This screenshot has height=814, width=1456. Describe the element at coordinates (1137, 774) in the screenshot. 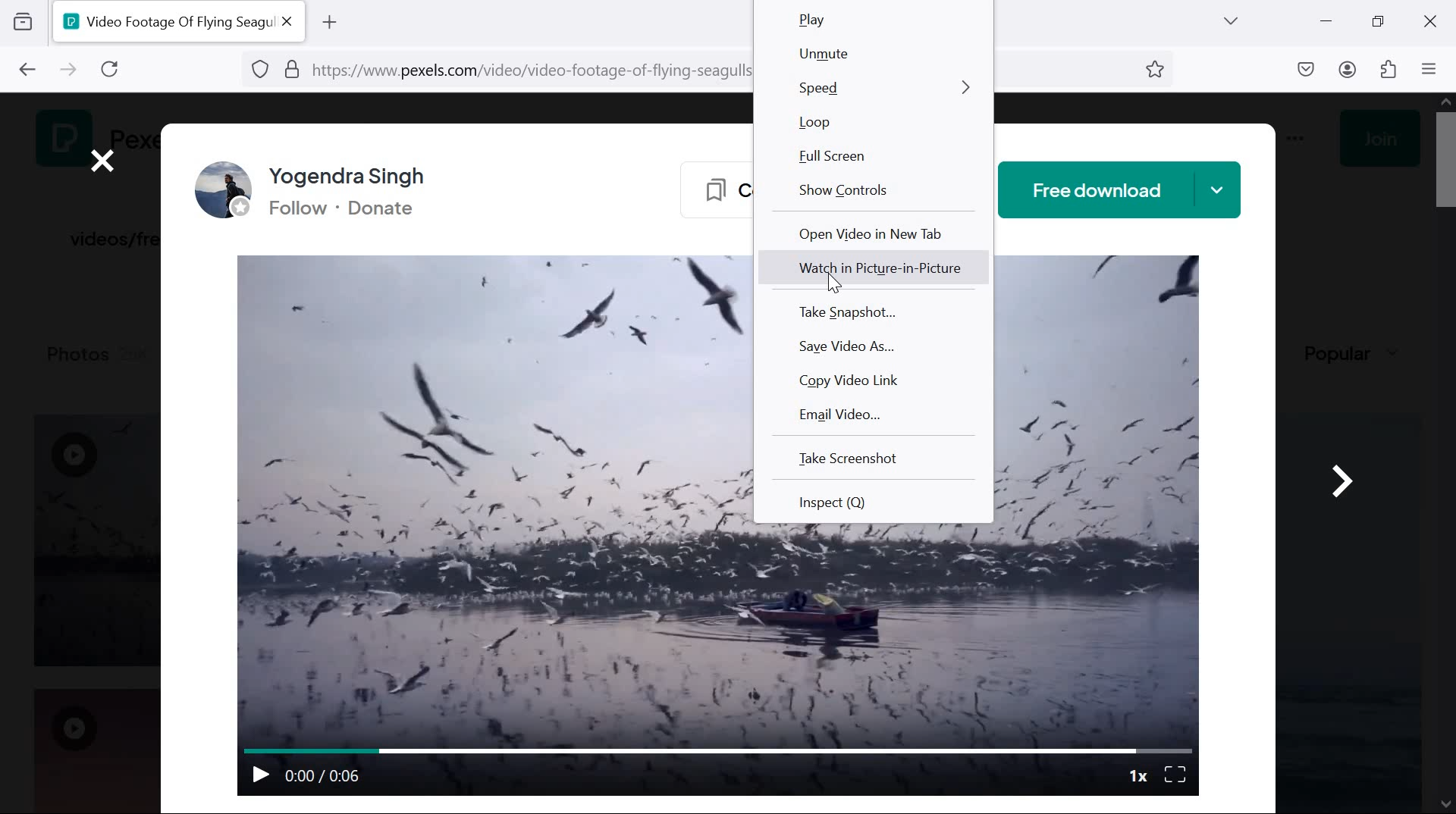

I see `1x` at that location.